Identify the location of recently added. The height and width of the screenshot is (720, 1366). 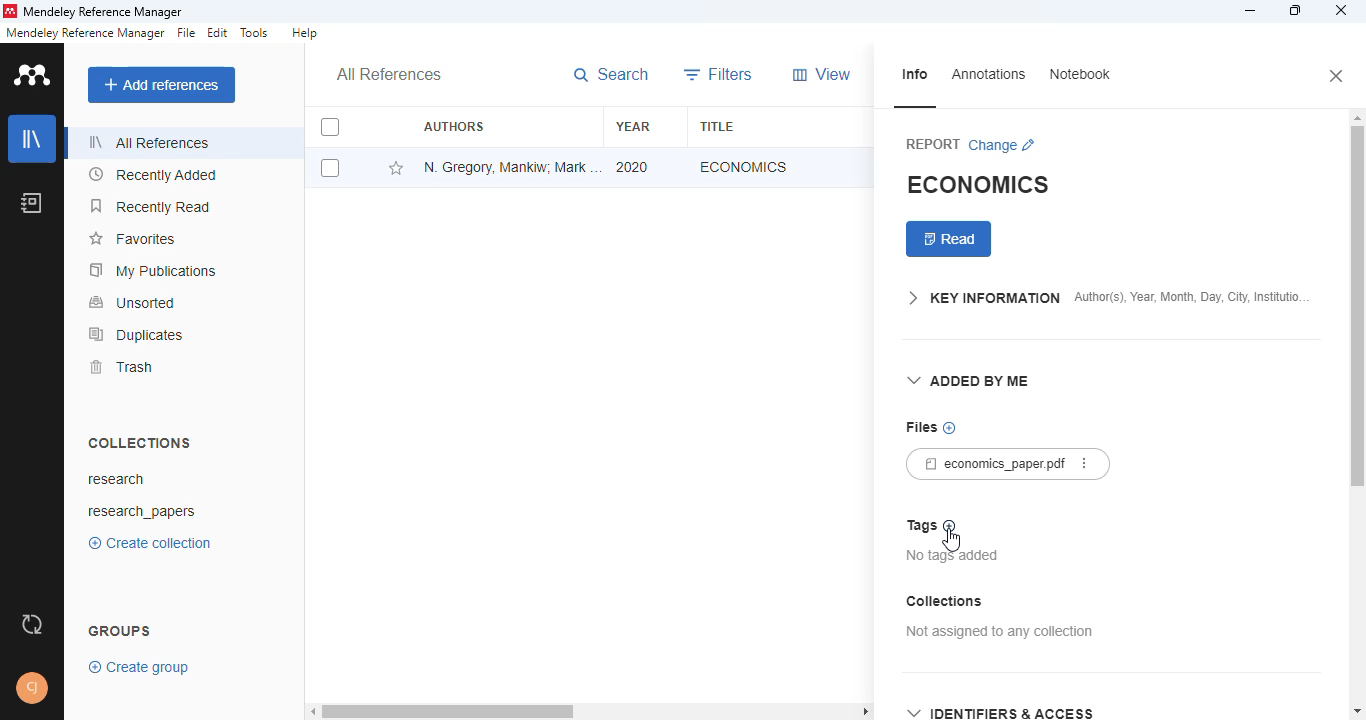
(151, 175).